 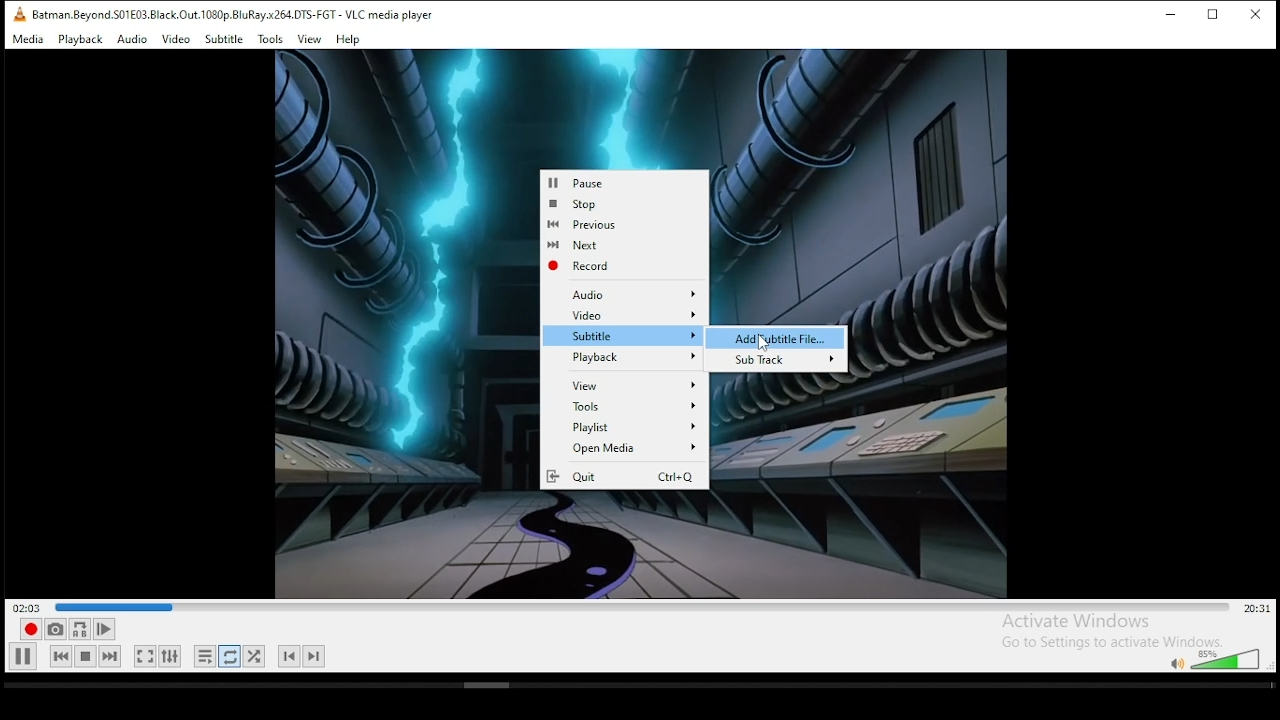 I want to click on record, so click(x=31, y=629).